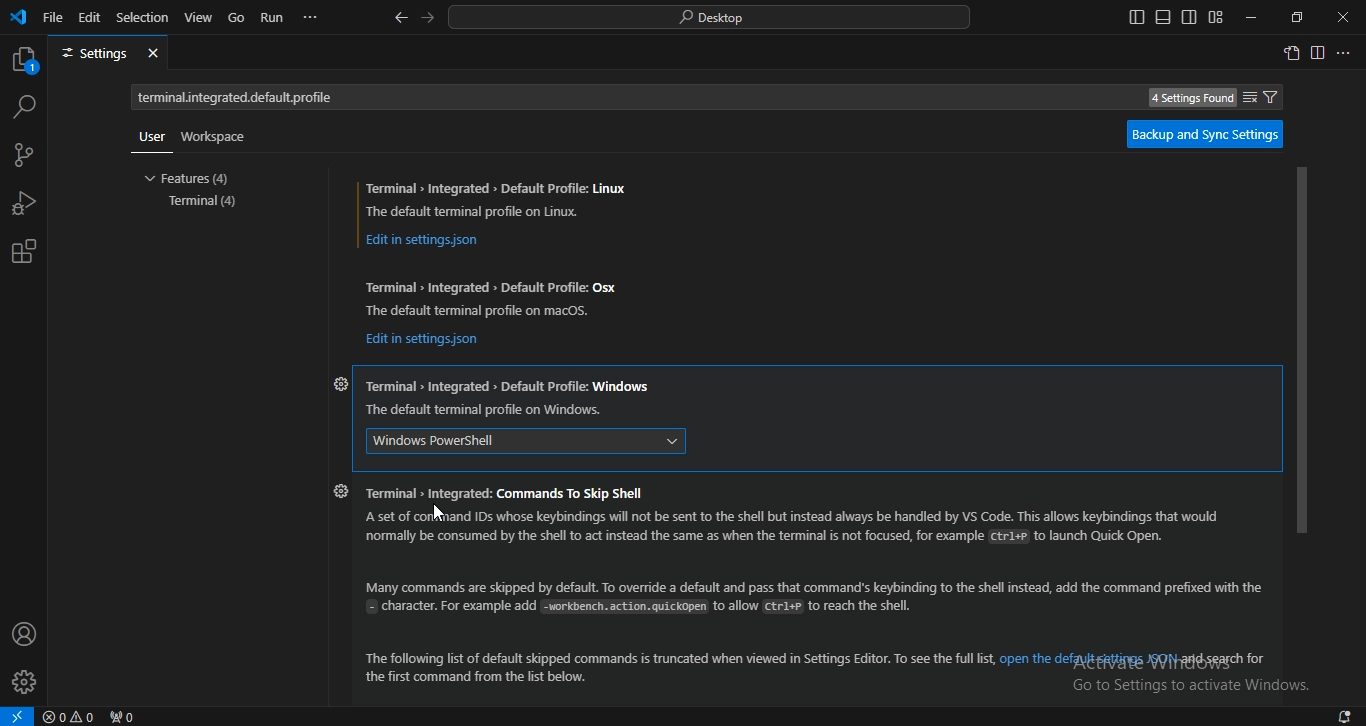  I want to click on scrollbar, so click(1302, 350).